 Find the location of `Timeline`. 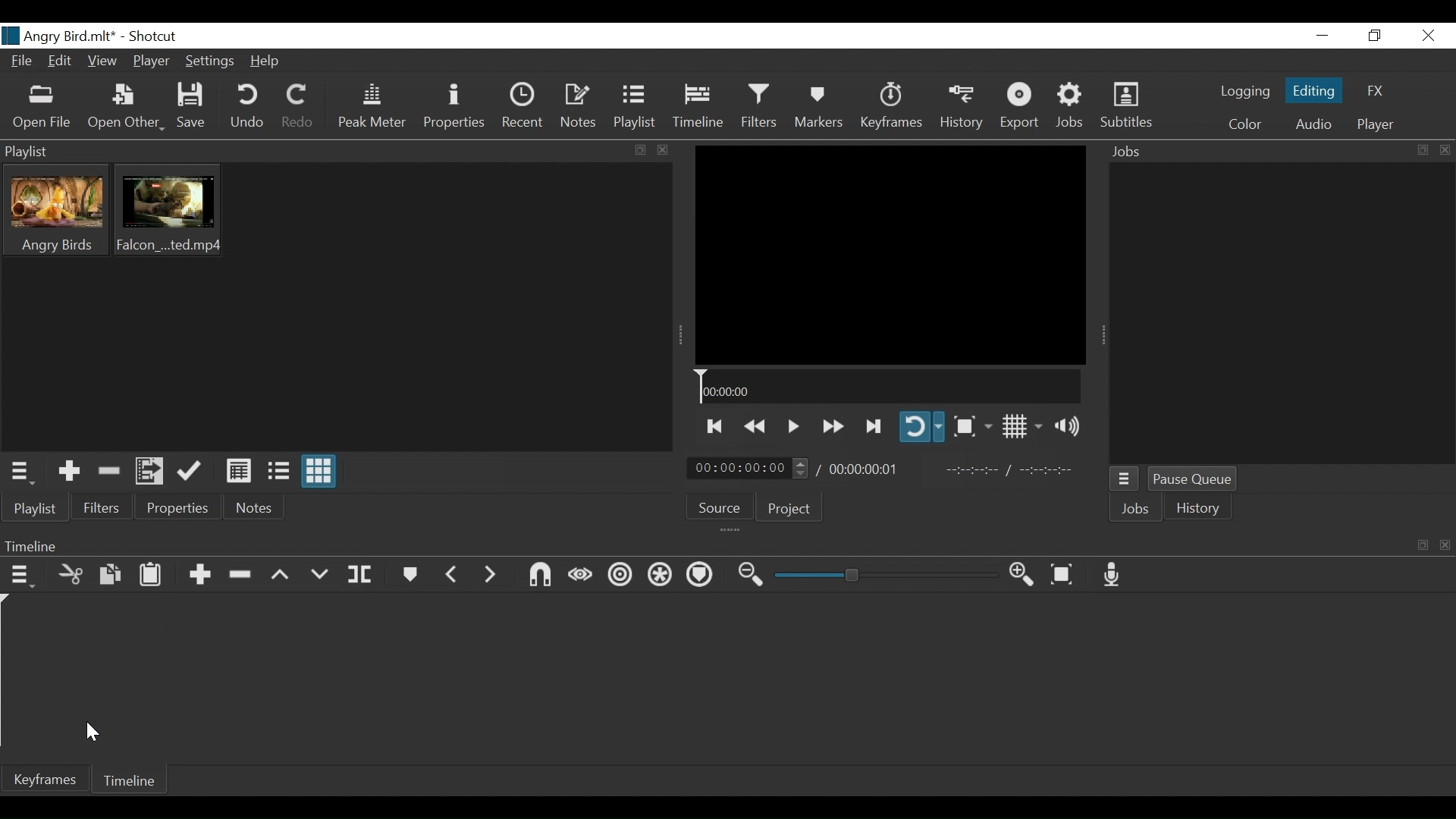

Timeline is located at coordinates (133, 781).